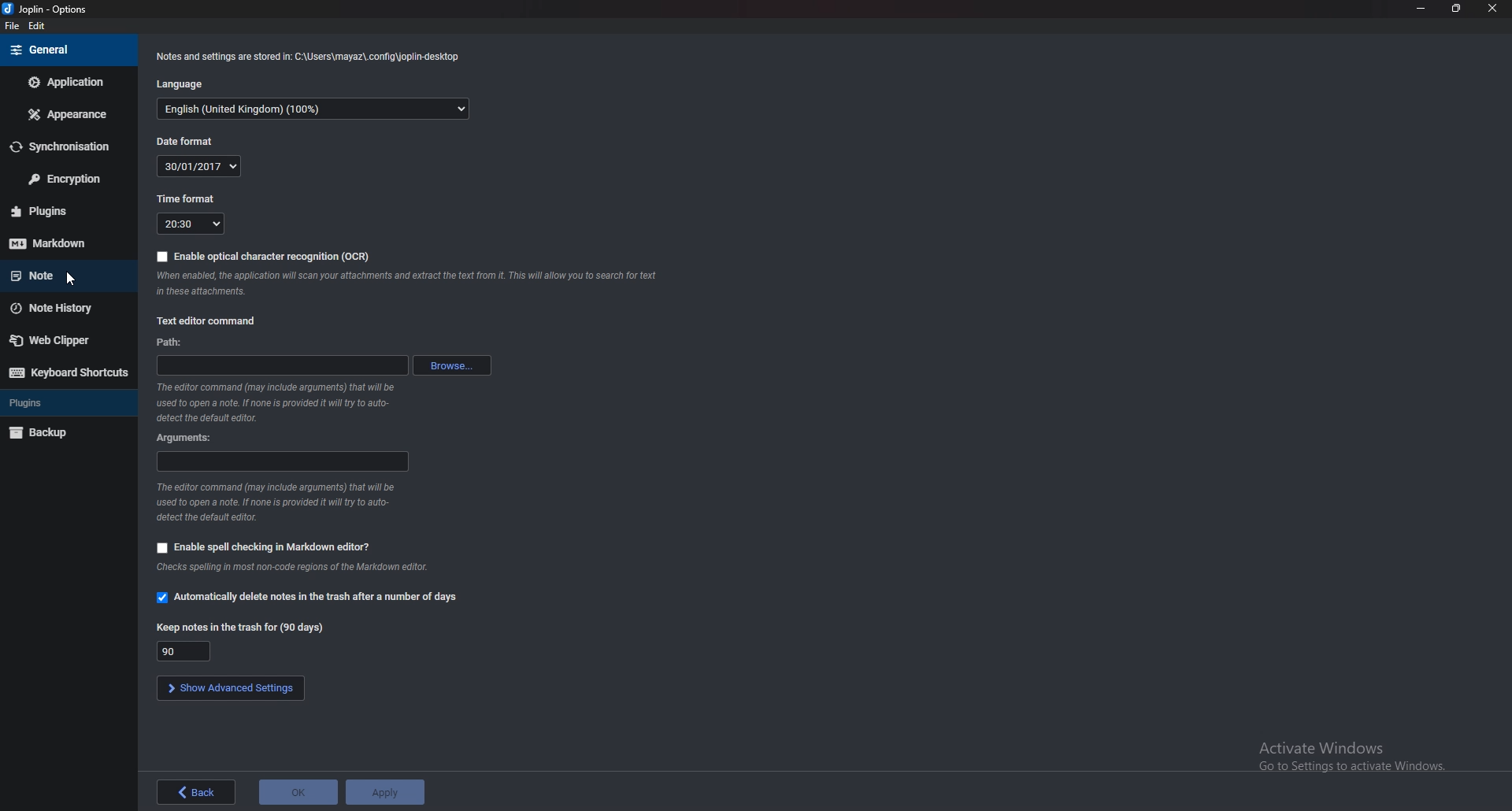  What do you see at coordinates (280, 365) in the screenshot?
I see `path` at bounding box center [280, 365].